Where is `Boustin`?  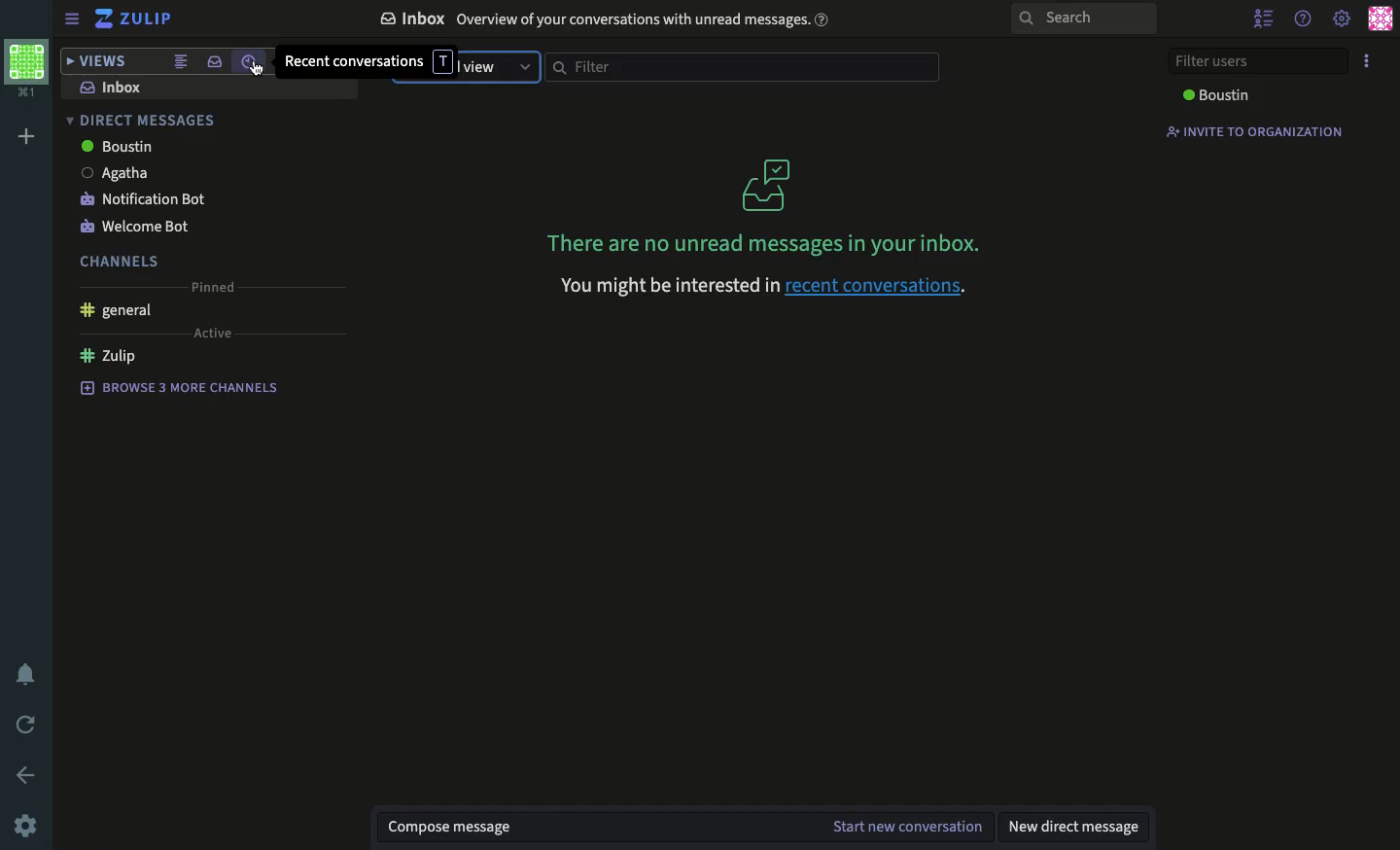
Boustin is located at coordinates (1216, 95).